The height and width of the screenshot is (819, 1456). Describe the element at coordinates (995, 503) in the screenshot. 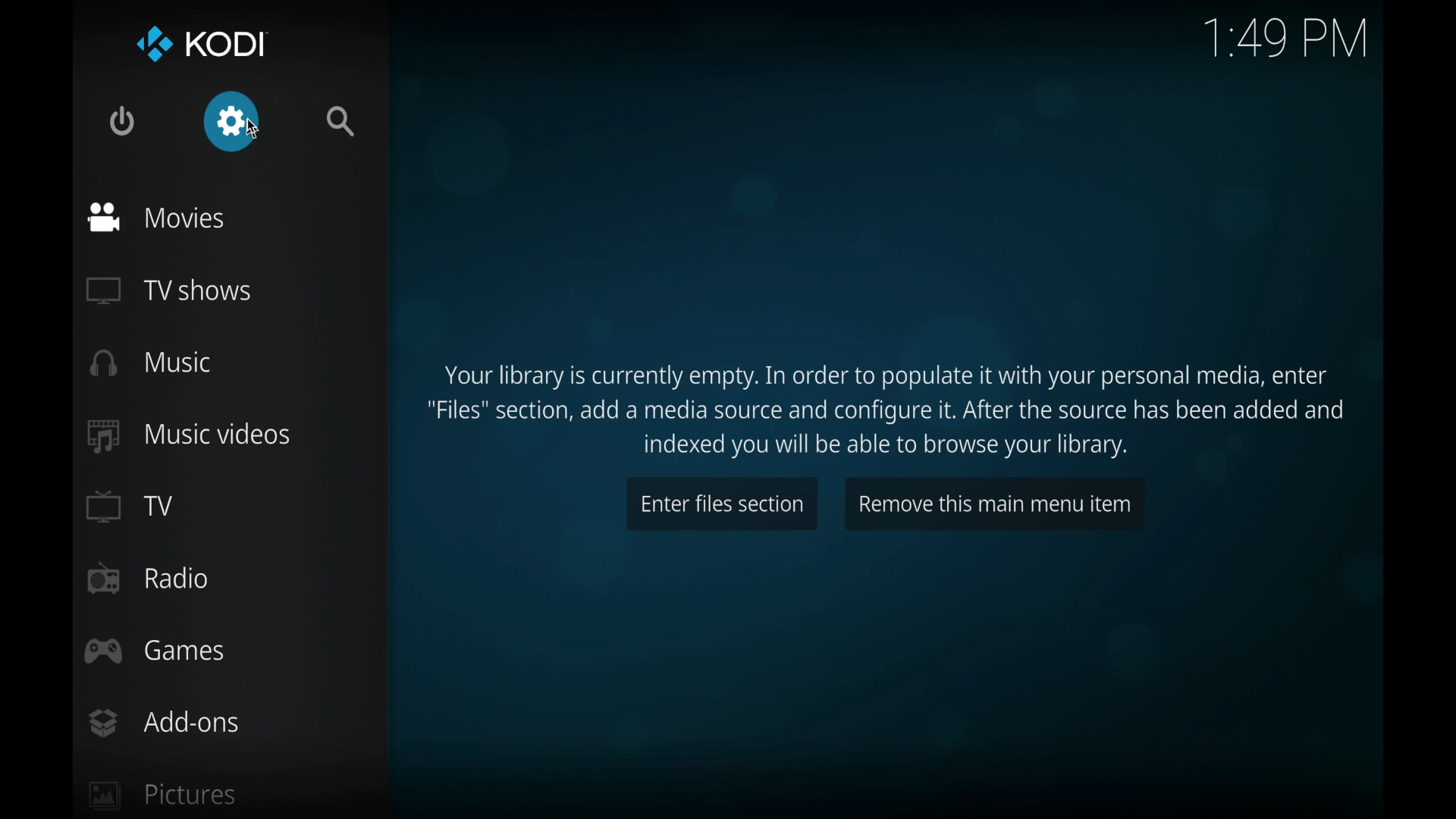

I see `remove this main menu item` at that location.